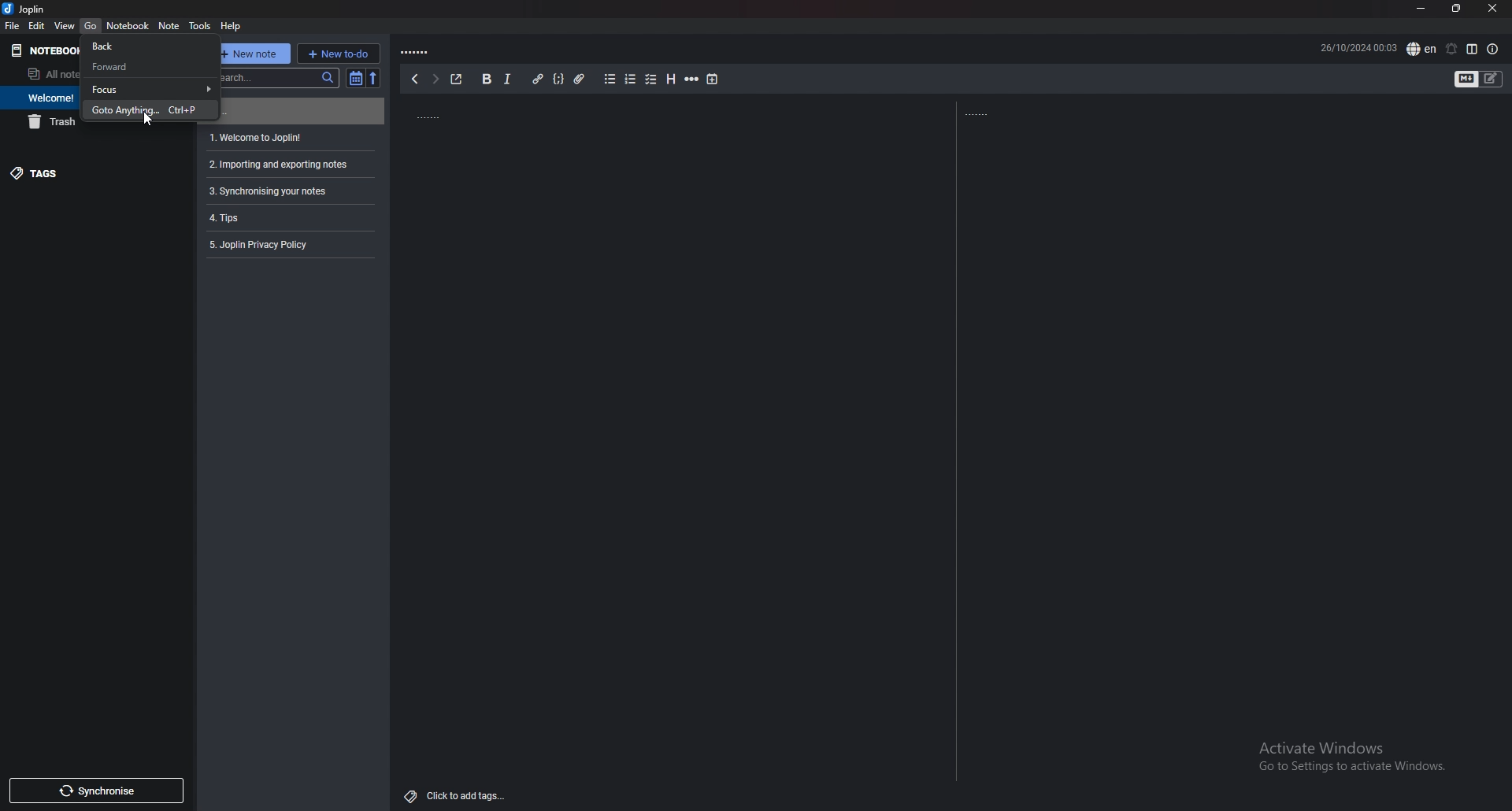  I want to click on toggle editor layout, so click(1473, 49).